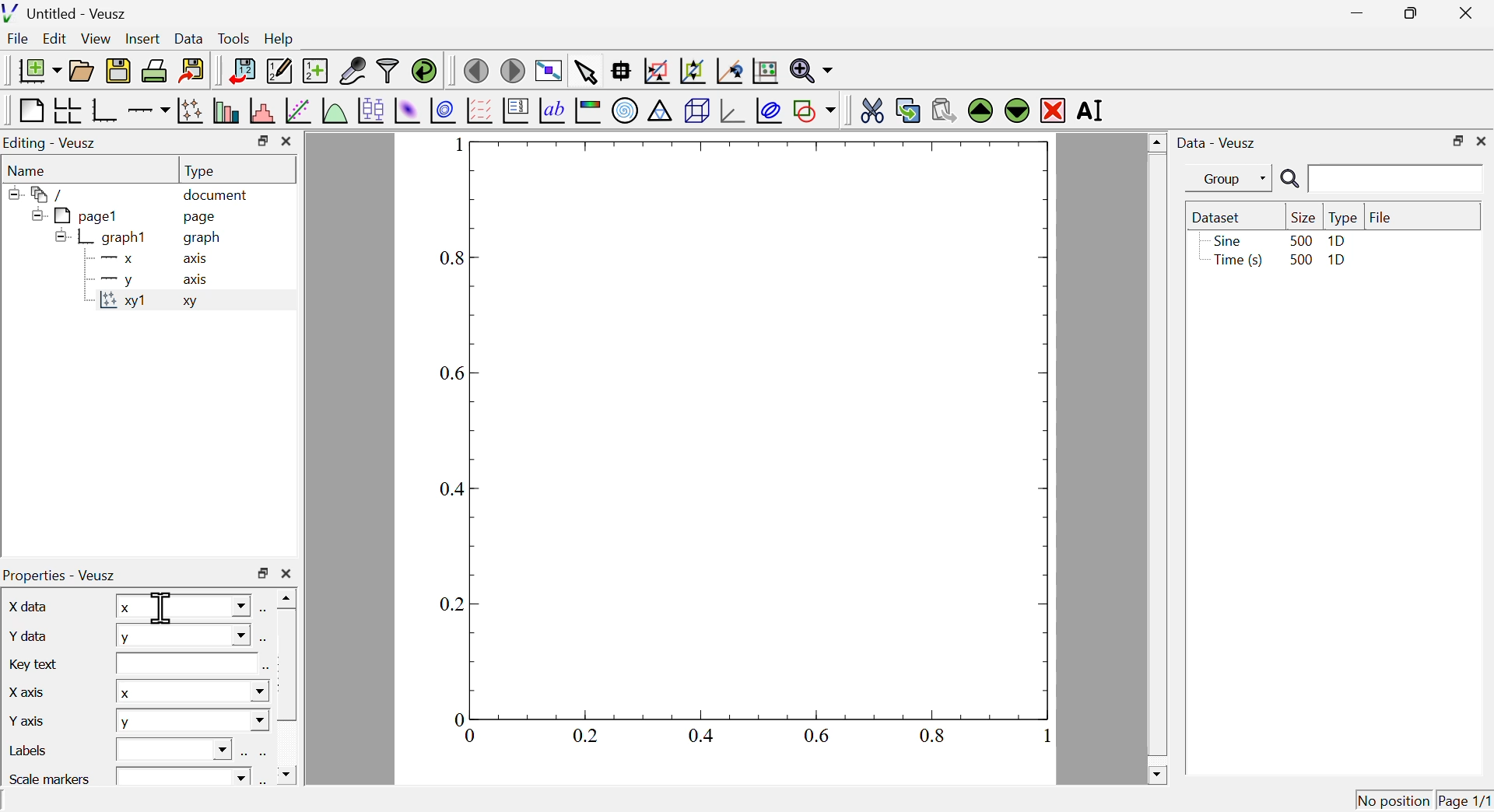  Describe the element at coordinates (1226, 240) in the screenshot. I see `sine` at that location.